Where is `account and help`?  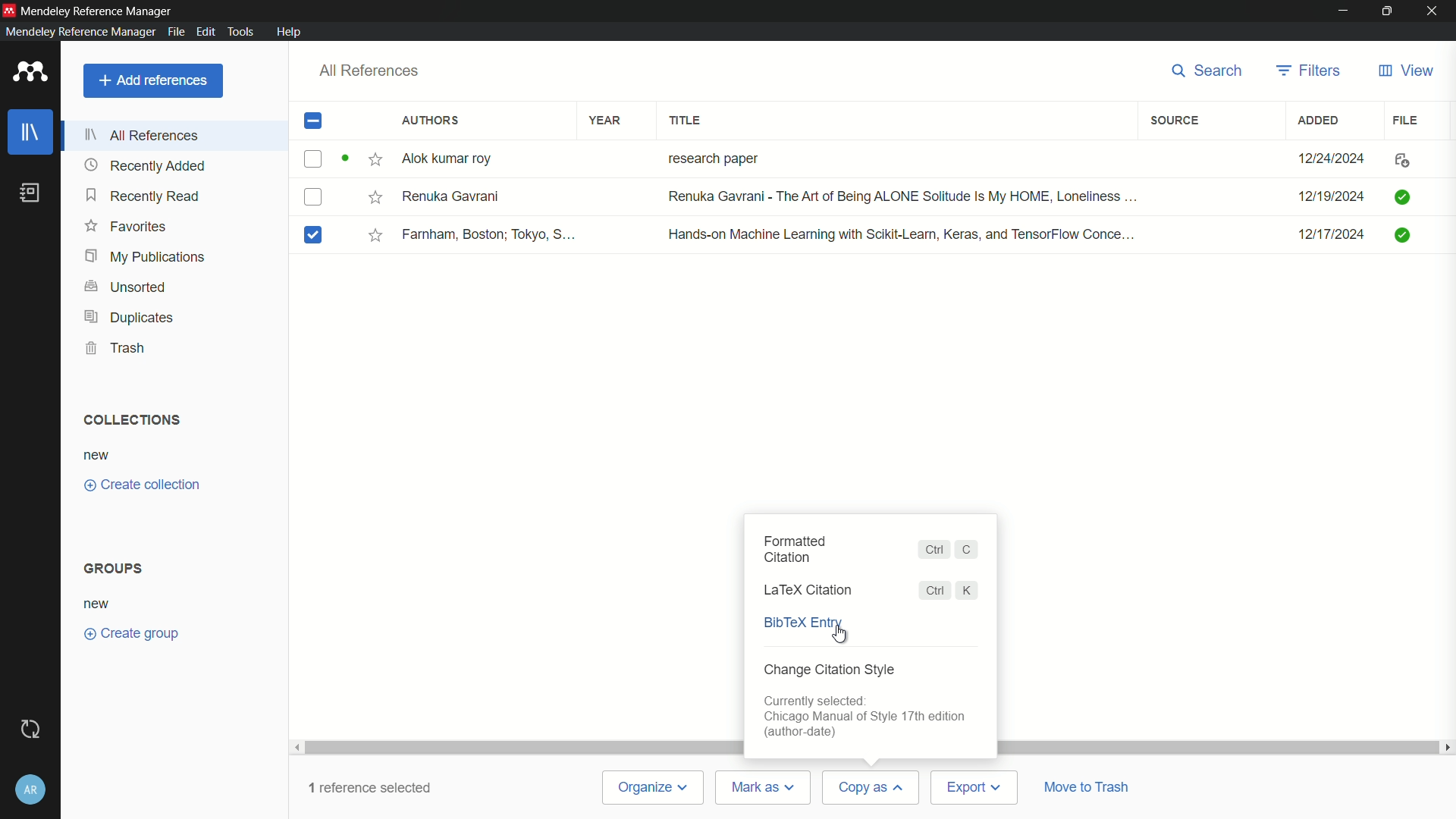 account and help is located at coordinates (31, 786).